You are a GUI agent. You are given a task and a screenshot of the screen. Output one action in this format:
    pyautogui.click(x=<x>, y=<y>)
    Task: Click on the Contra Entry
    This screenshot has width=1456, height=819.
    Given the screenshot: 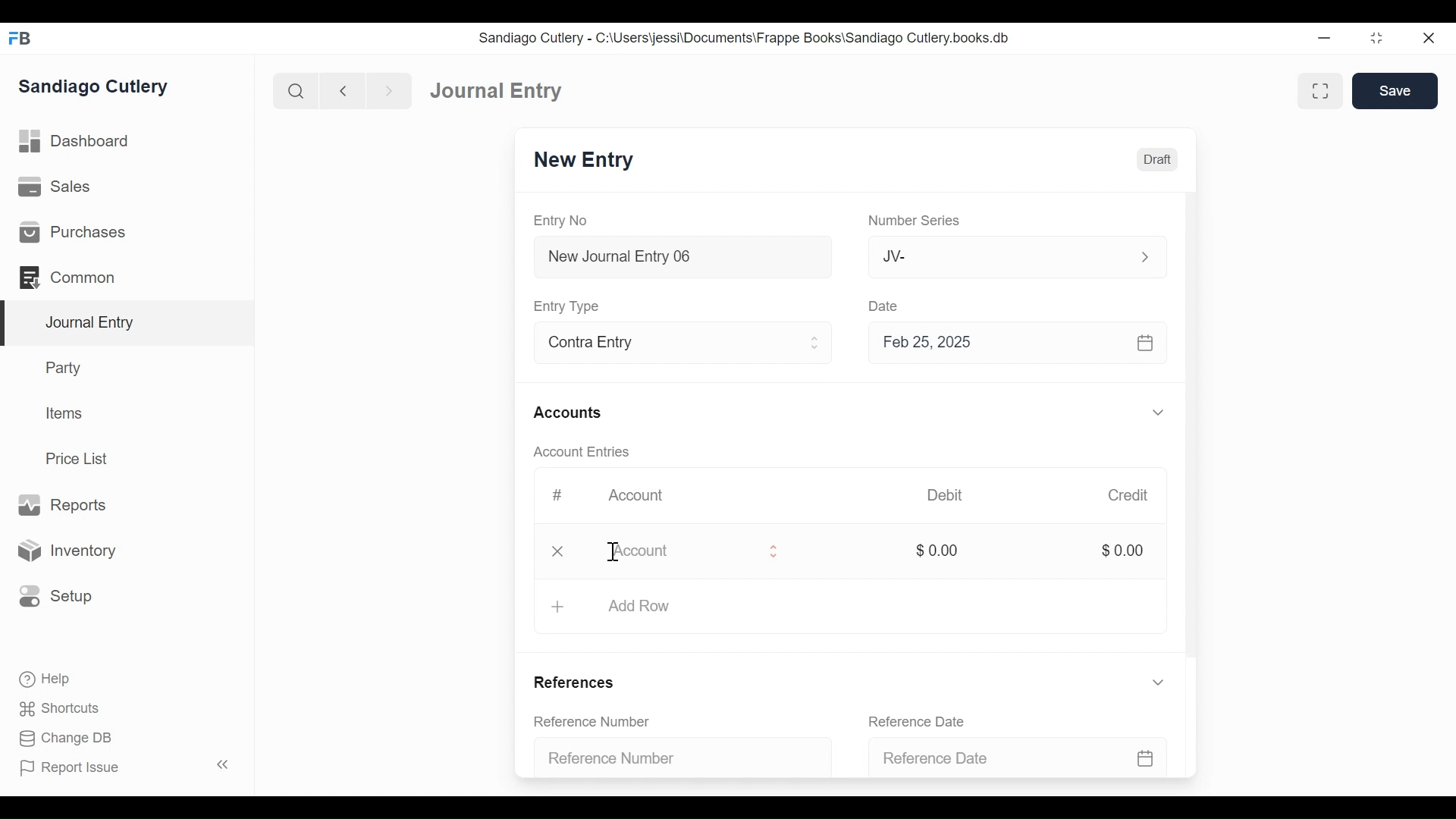 What is the action you would take?
    pyautogui.click(x=658, y=344)
    